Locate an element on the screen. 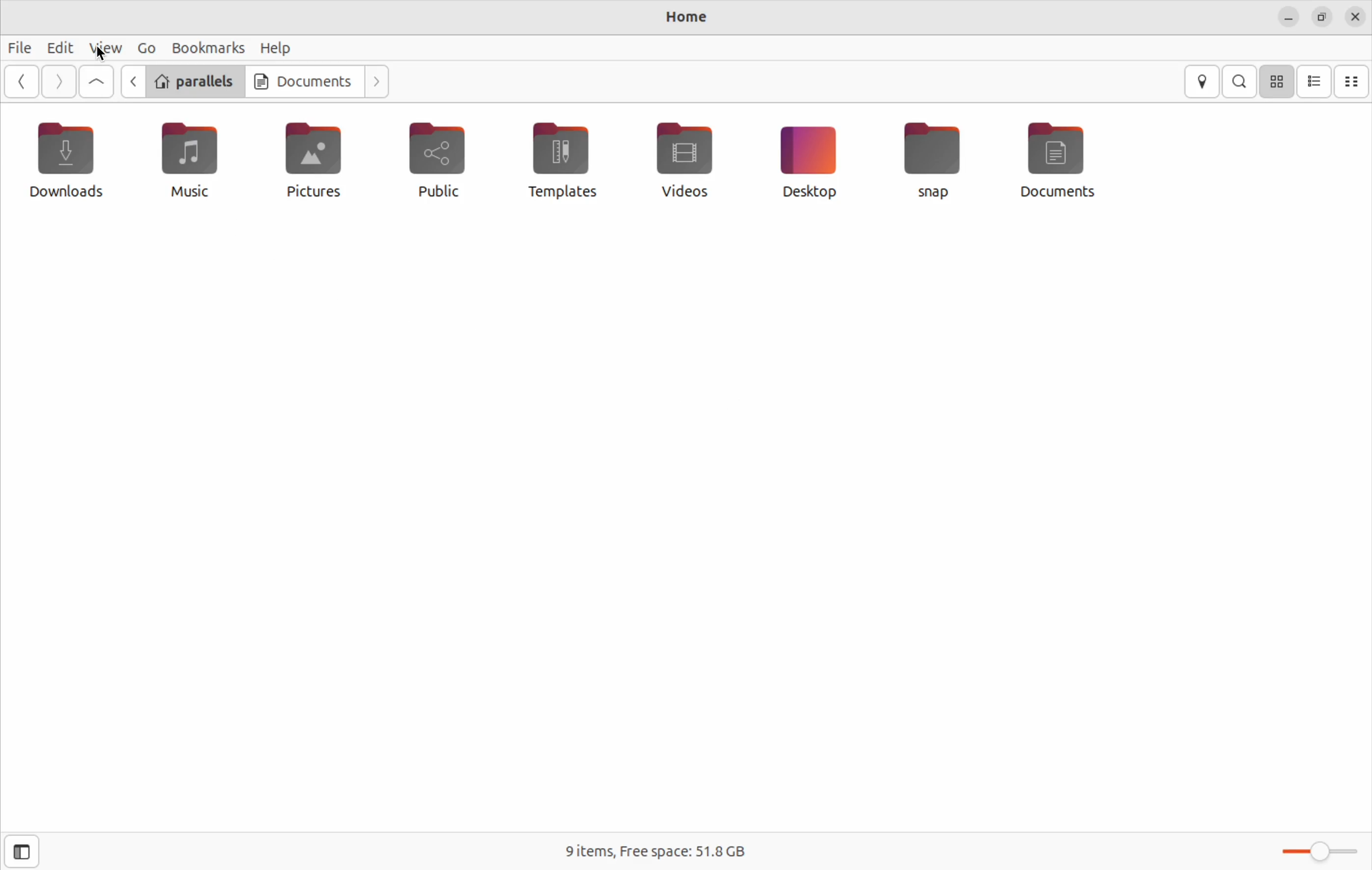 The width and height of the screenshot is (1372, 870). Home is located at coordinates (687, 15).